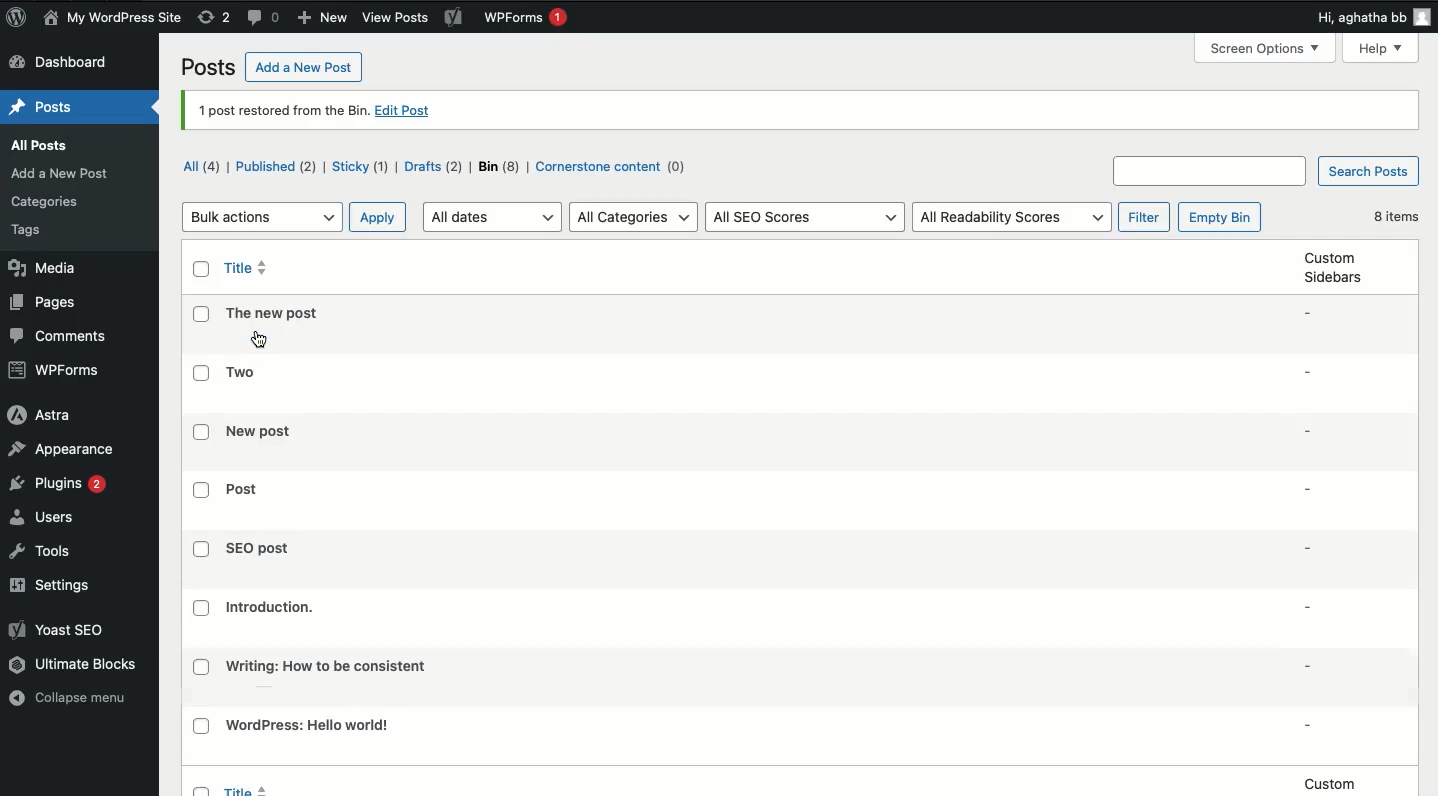 This screenshot has width=1438, height=796. What do you see at coordinates (19, 19) in the screenshot?
I see `Logo` at bounding box center [19, 19].